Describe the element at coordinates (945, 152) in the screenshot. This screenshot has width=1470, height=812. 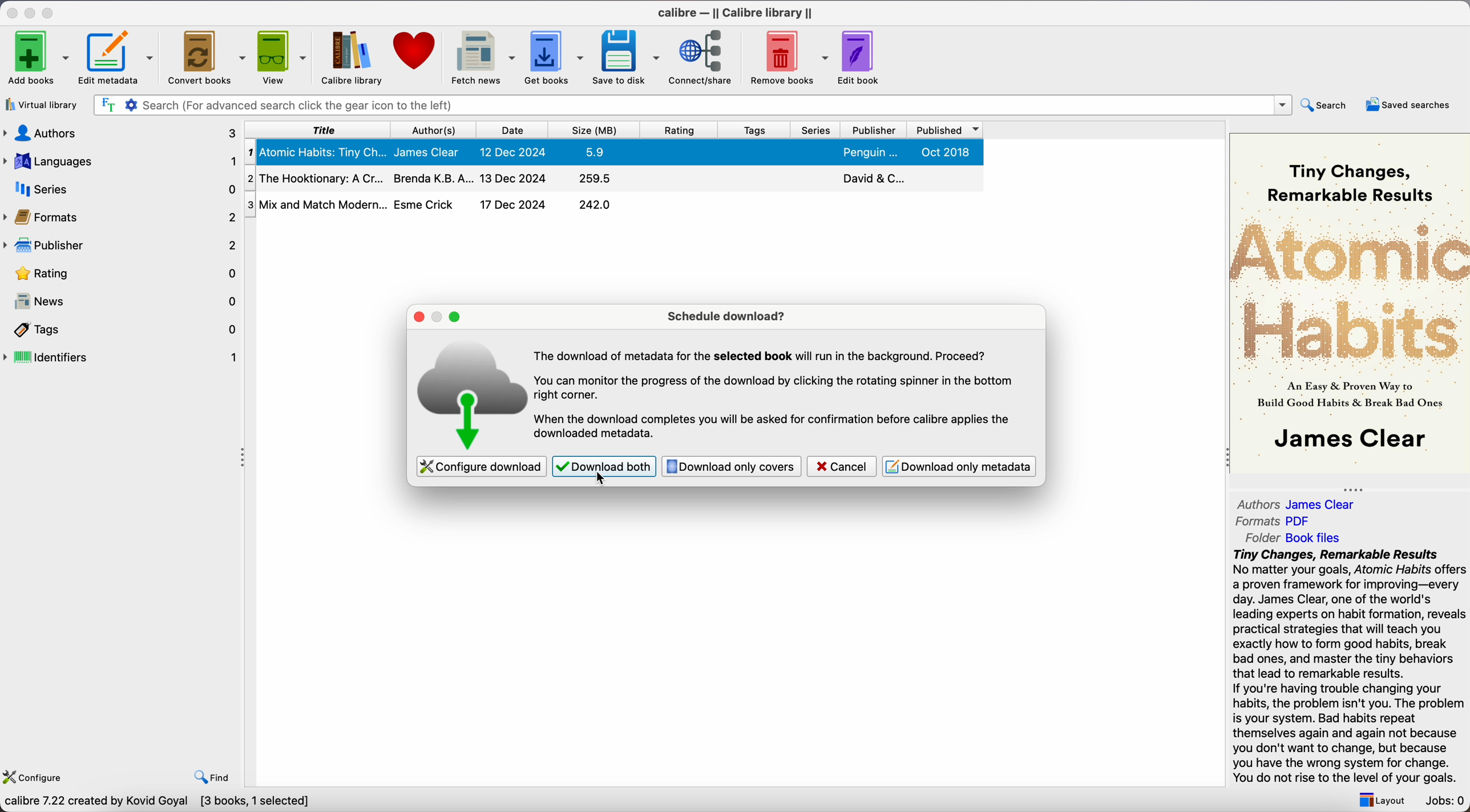
I see `Oct 2018` at that location.